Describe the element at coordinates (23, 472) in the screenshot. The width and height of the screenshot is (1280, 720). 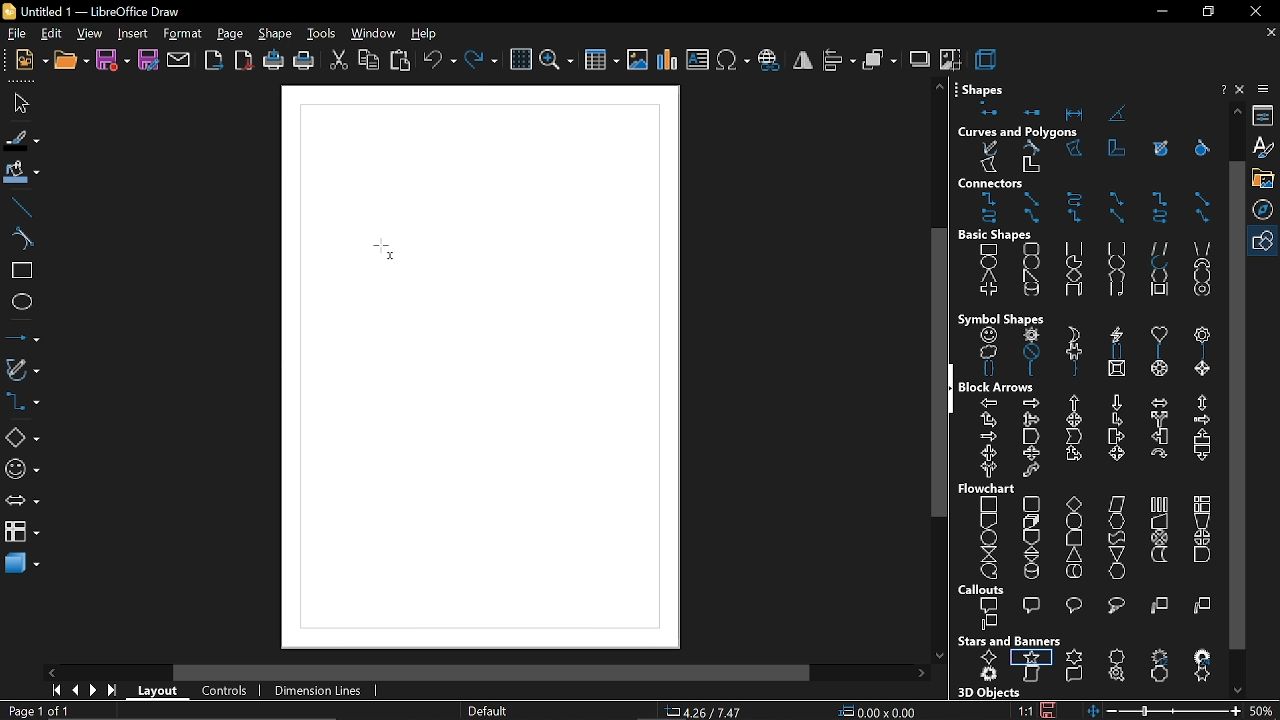
I see `symbol shapes` at that location.